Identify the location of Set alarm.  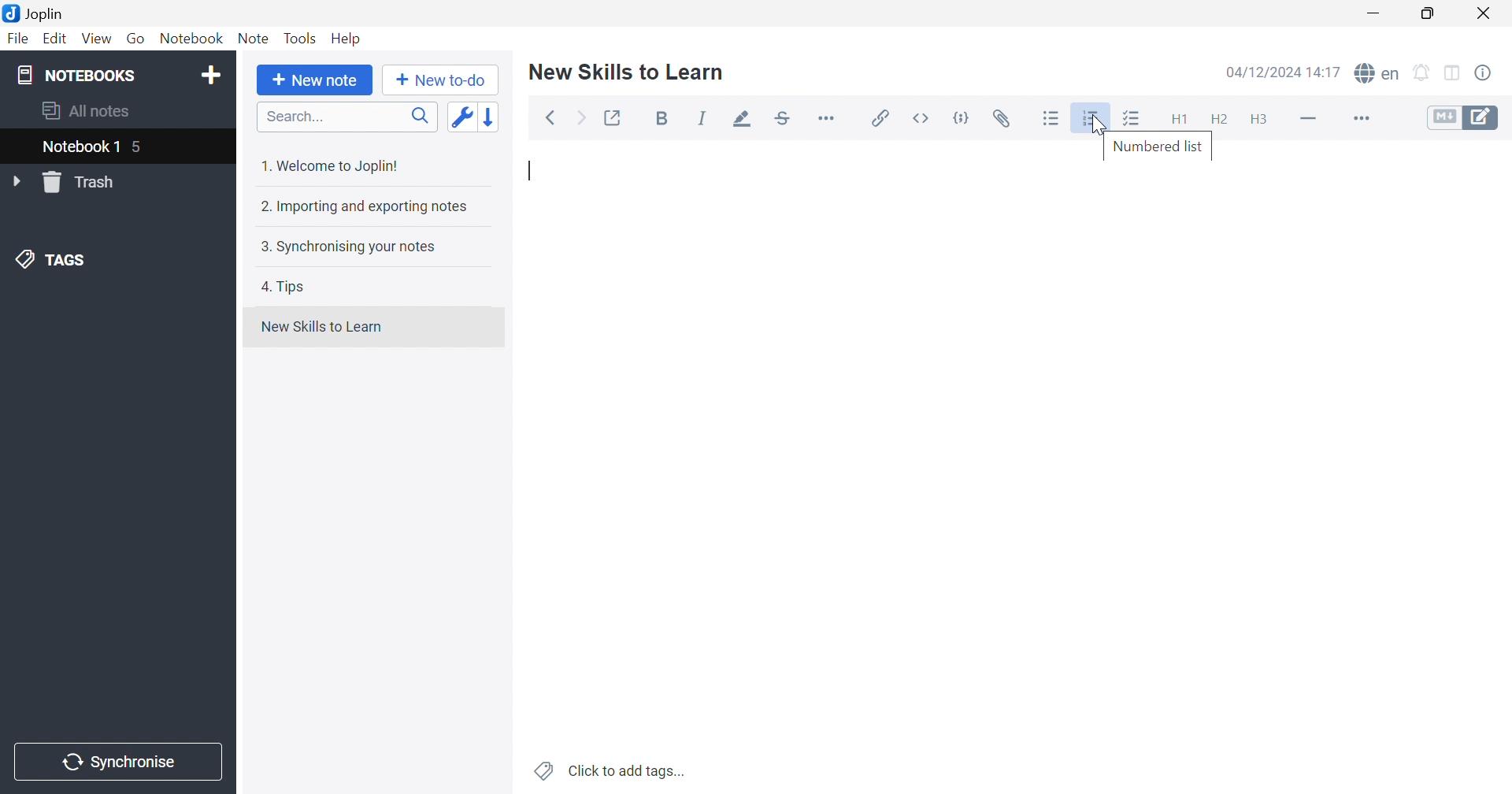
(1422, 73).